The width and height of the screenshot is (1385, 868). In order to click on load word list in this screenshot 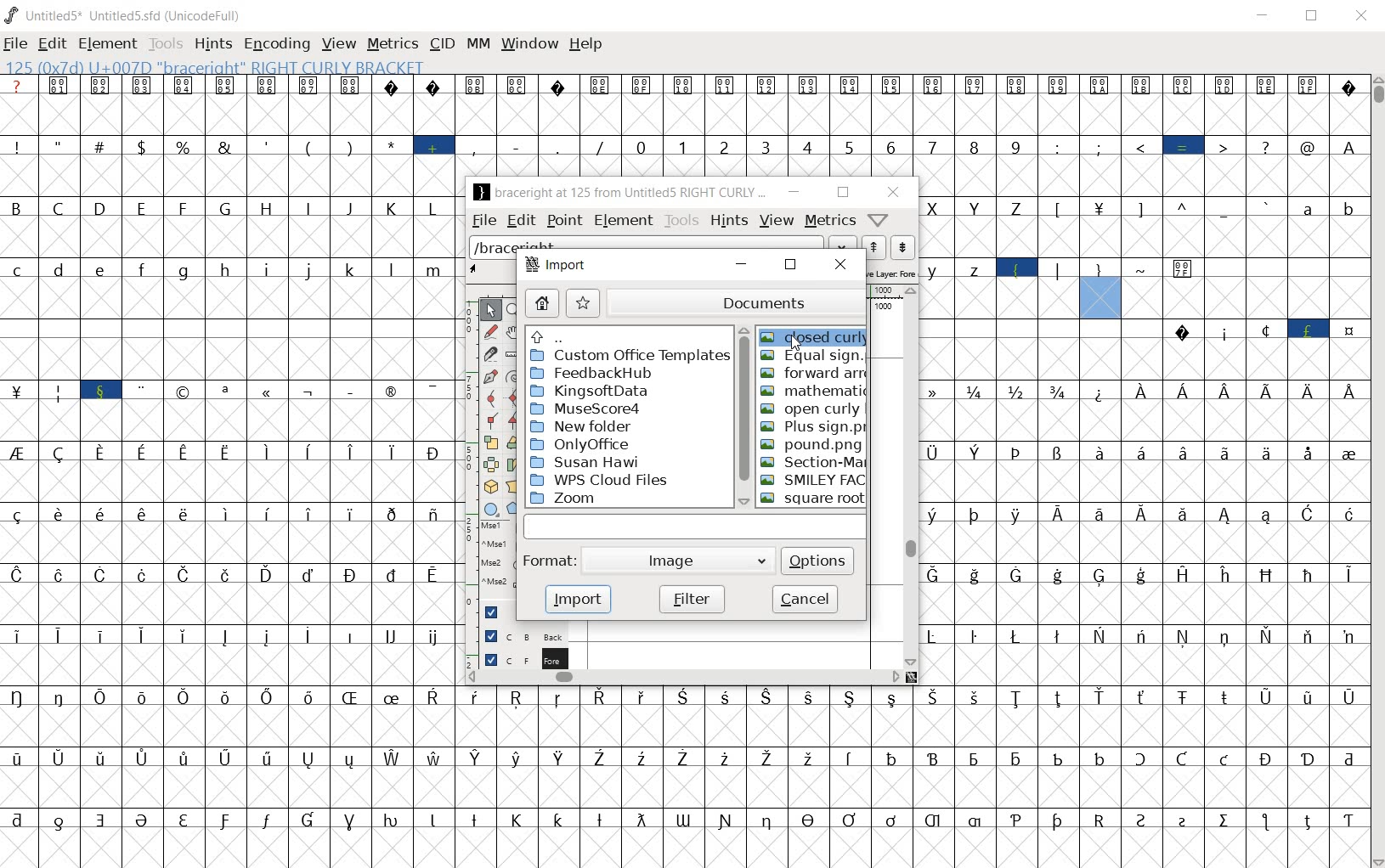, I will do `click(661, 244)`.